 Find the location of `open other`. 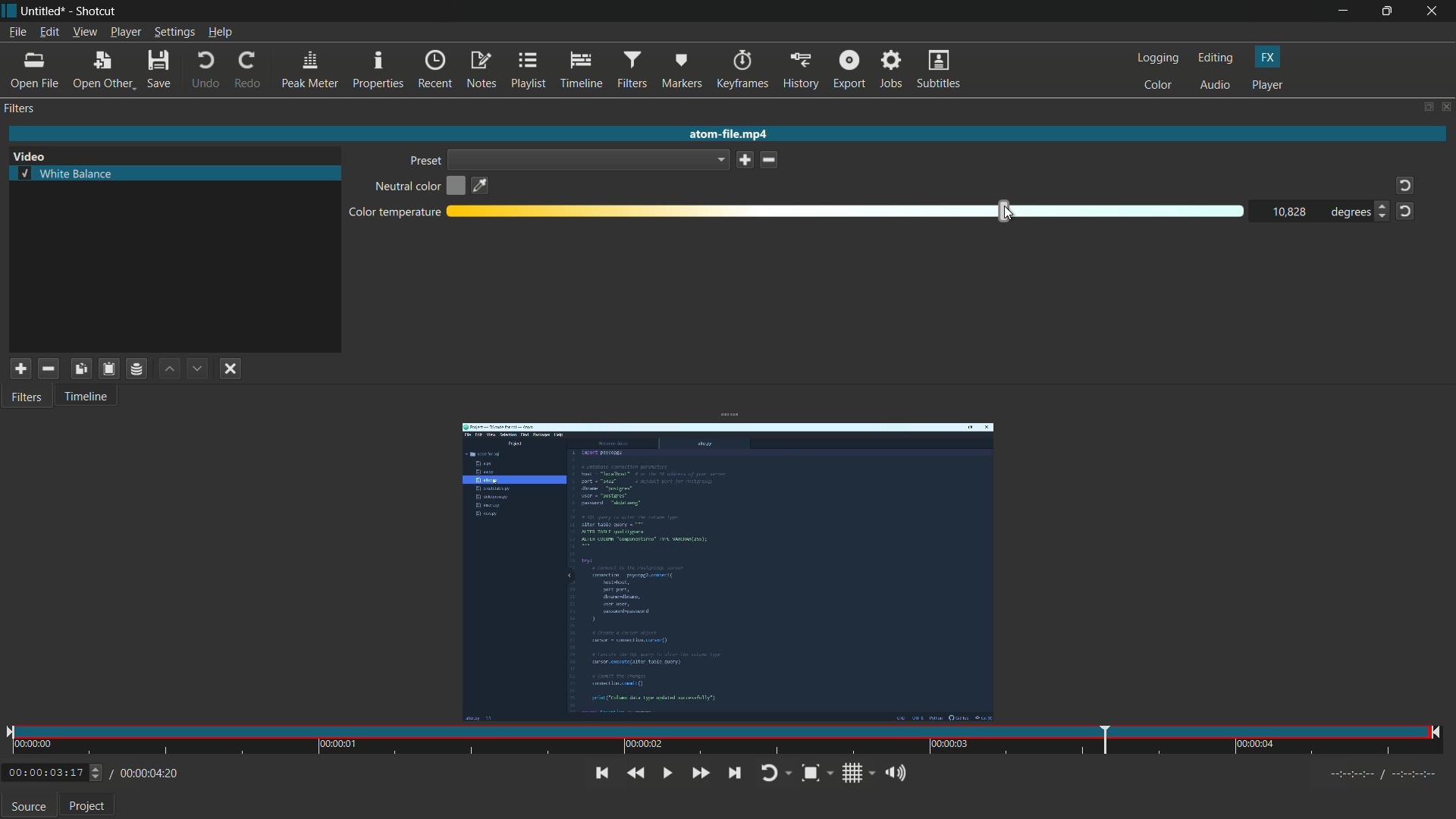

open other is located at coordinates (104, 68).